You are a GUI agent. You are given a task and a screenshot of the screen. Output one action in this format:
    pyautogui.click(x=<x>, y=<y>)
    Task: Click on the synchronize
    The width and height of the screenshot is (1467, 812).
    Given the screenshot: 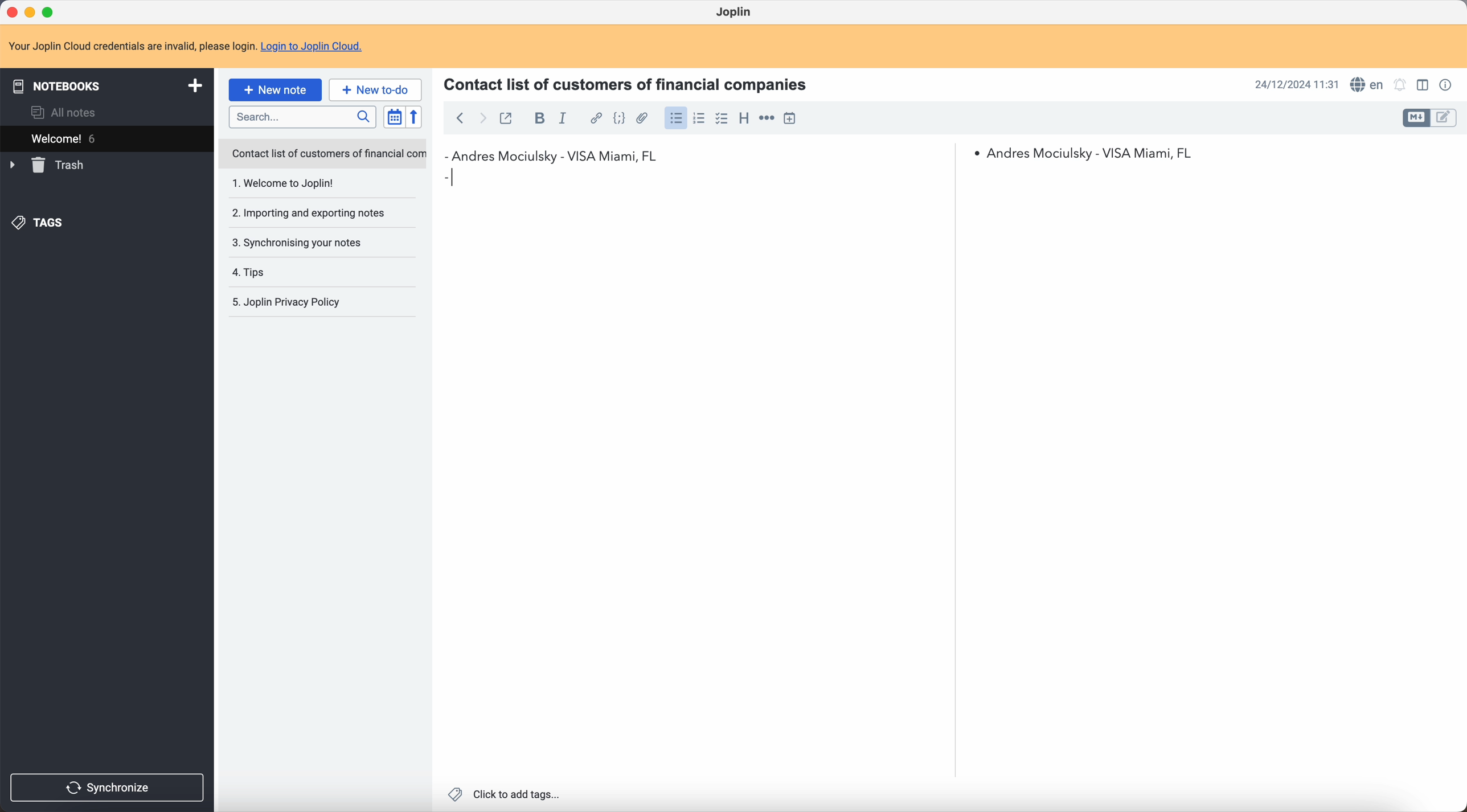 What is the action you would take?
    pyautogui.click(x=108, y=788)
    